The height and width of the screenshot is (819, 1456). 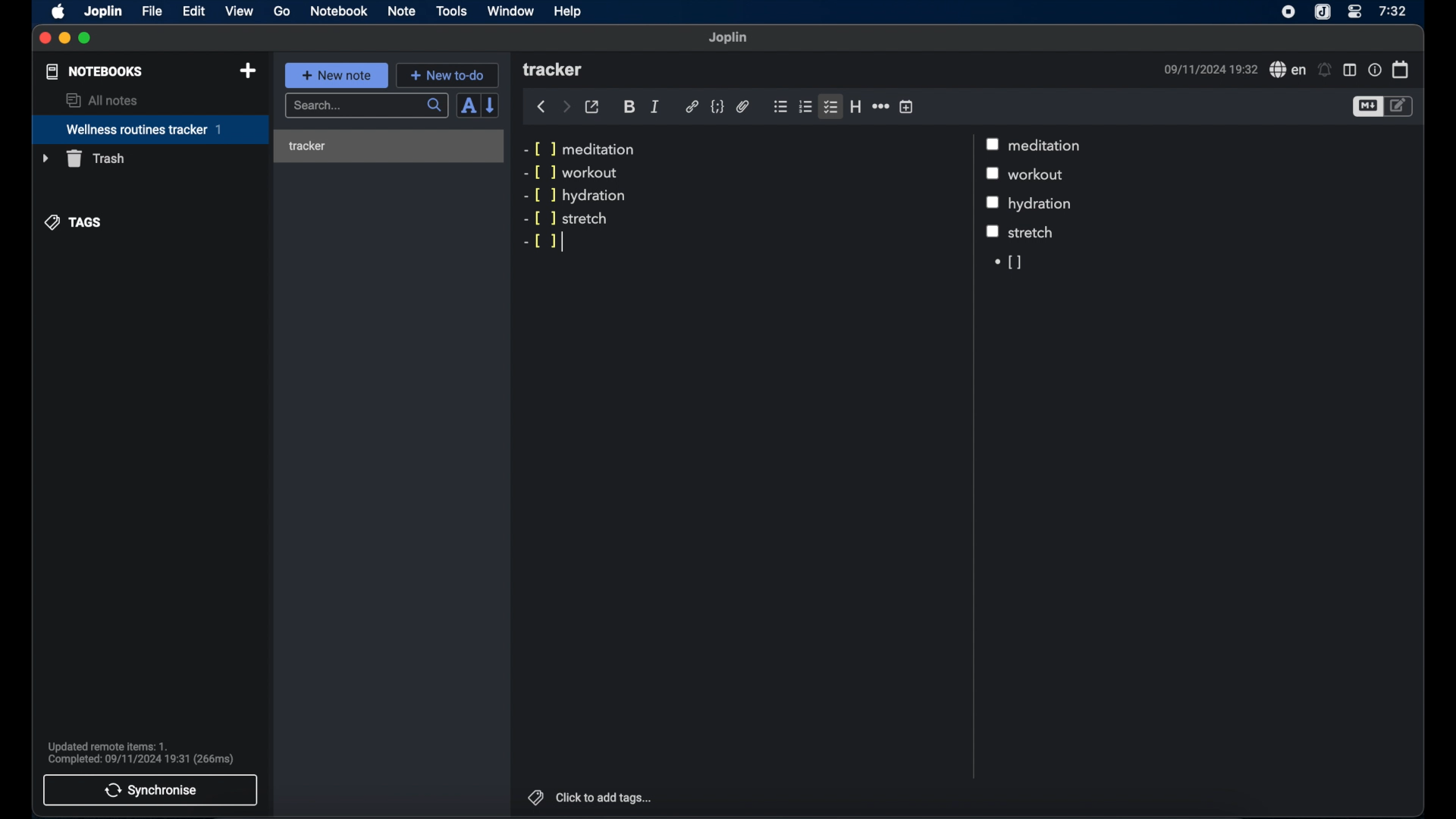 What do you see at coordinates (1006, 261) in the screenshot?
I see `[]` at bounding box center [1006, 261].